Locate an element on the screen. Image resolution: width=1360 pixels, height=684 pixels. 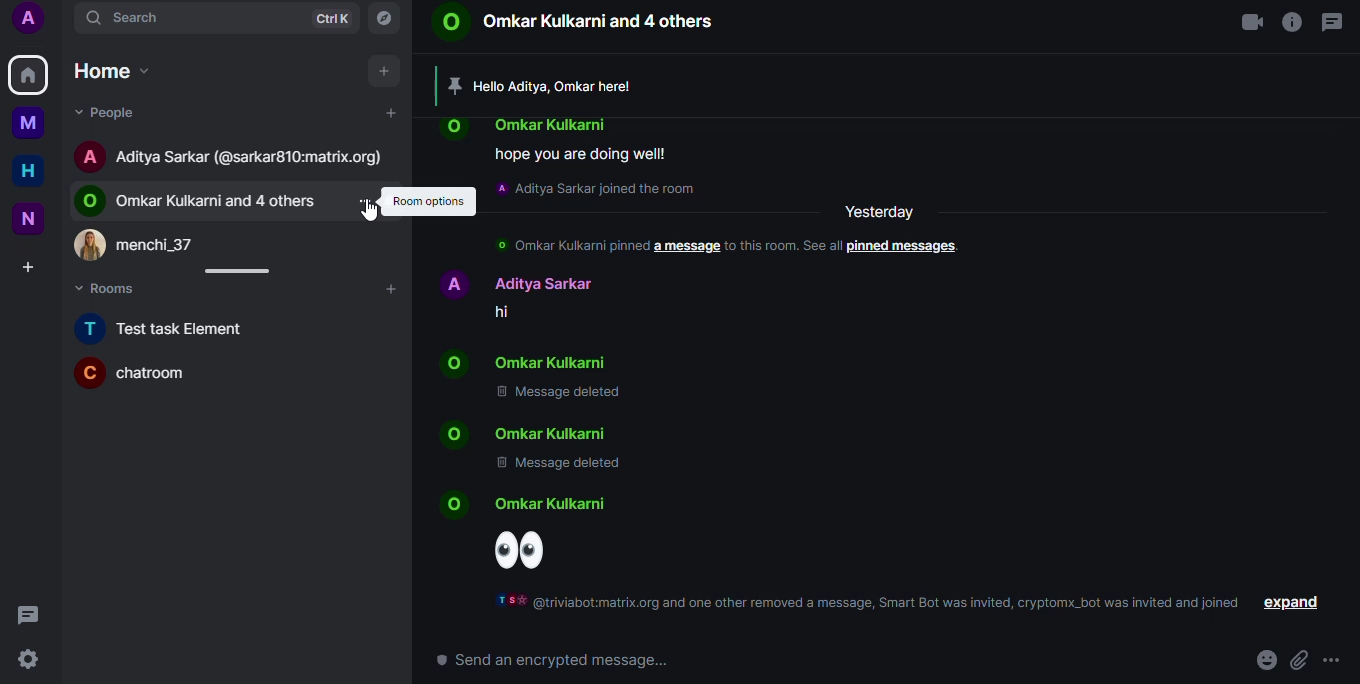
quick settings is located at coordinates (31, 663).